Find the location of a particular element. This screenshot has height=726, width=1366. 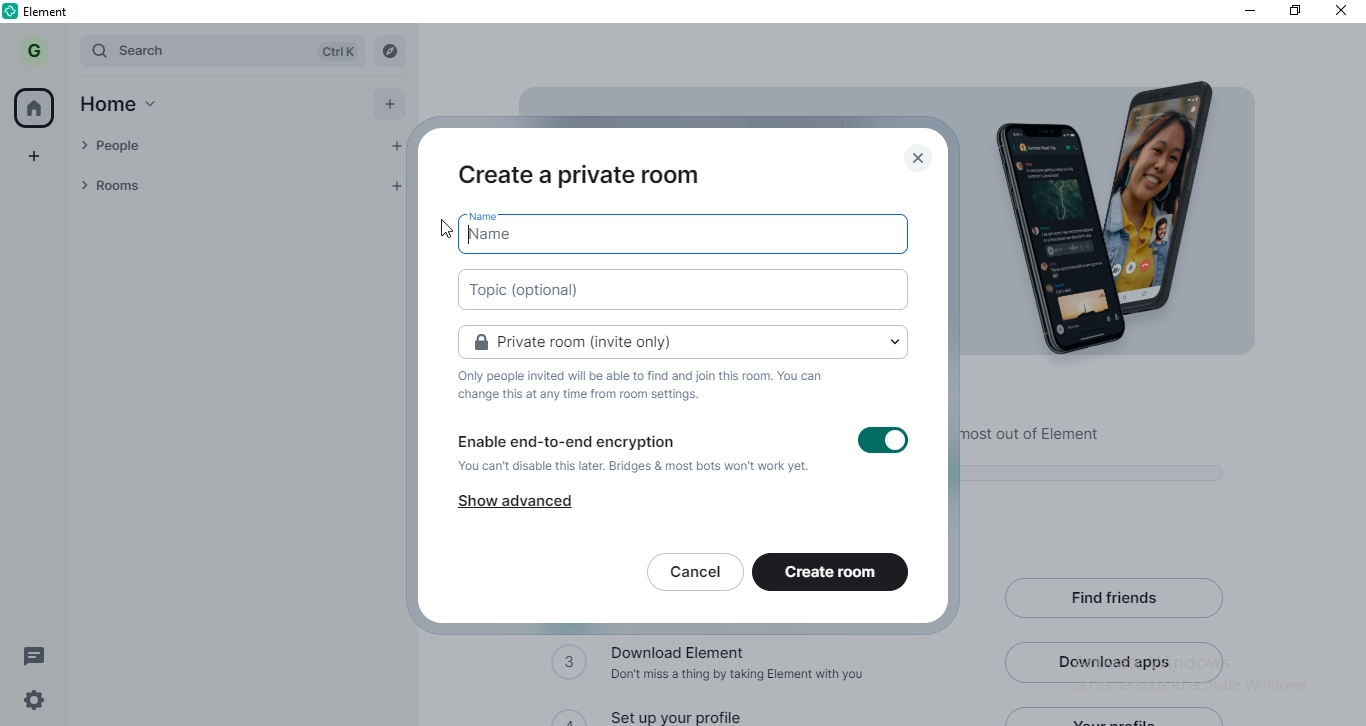

G is located at coordinates (37, 50).